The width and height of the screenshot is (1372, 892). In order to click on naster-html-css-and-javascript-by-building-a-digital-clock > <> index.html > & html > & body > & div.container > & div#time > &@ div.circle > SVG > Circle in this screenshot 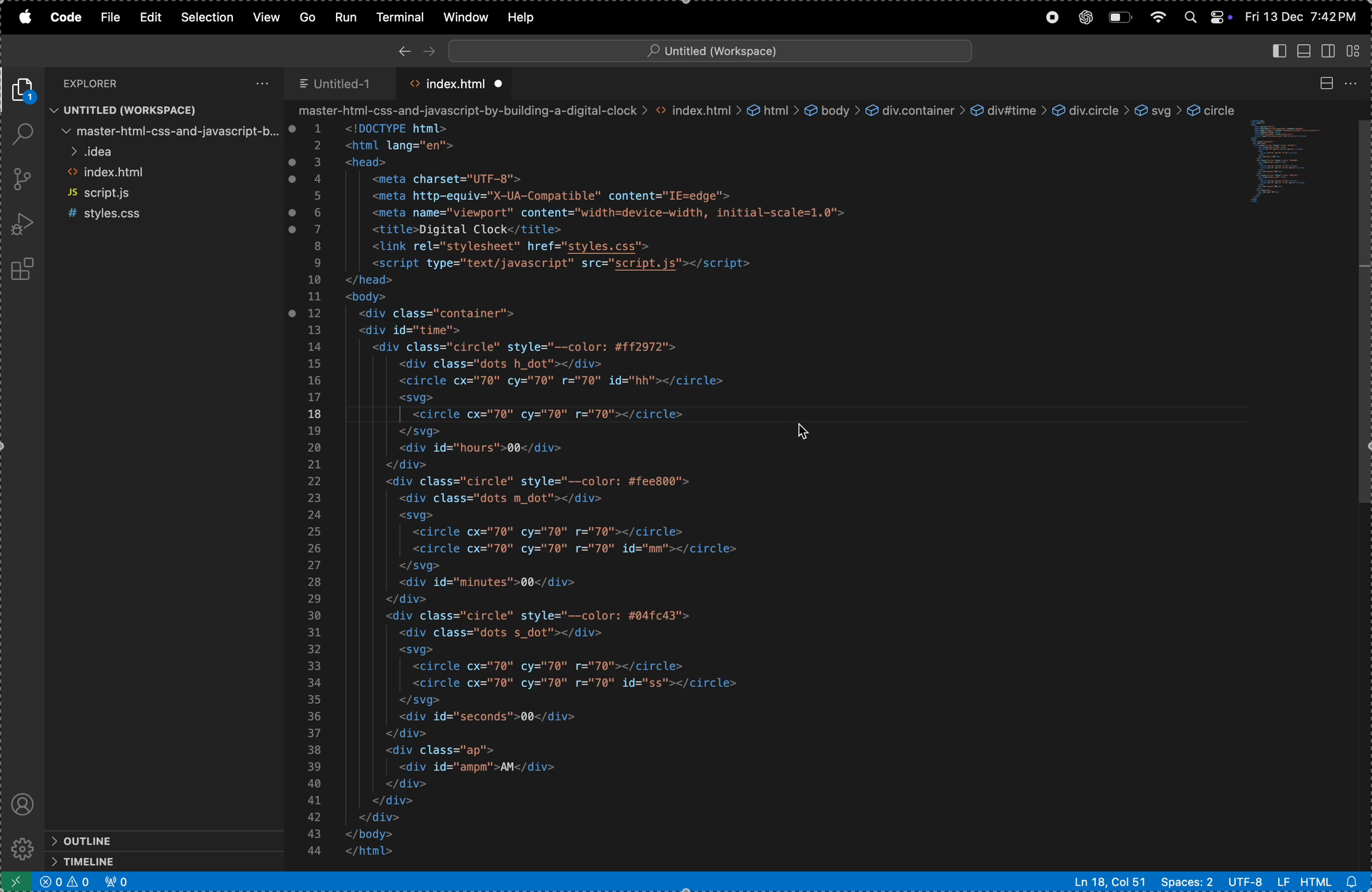, I will do `click(764, 111)`.